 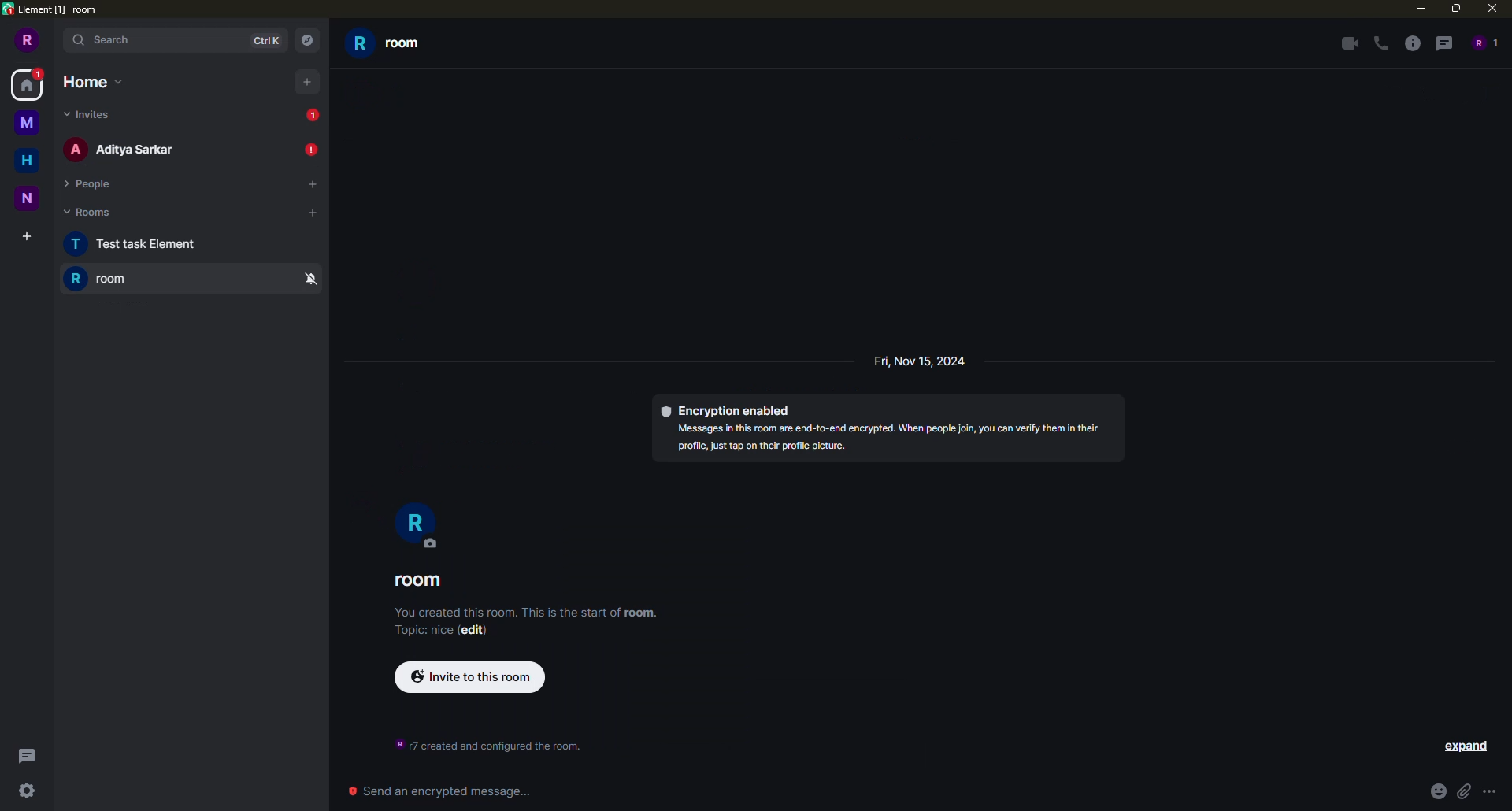 What do you see at coordinates (311, 280) in the screenshot?
I see `room muted` at bounding box center [311, 280].